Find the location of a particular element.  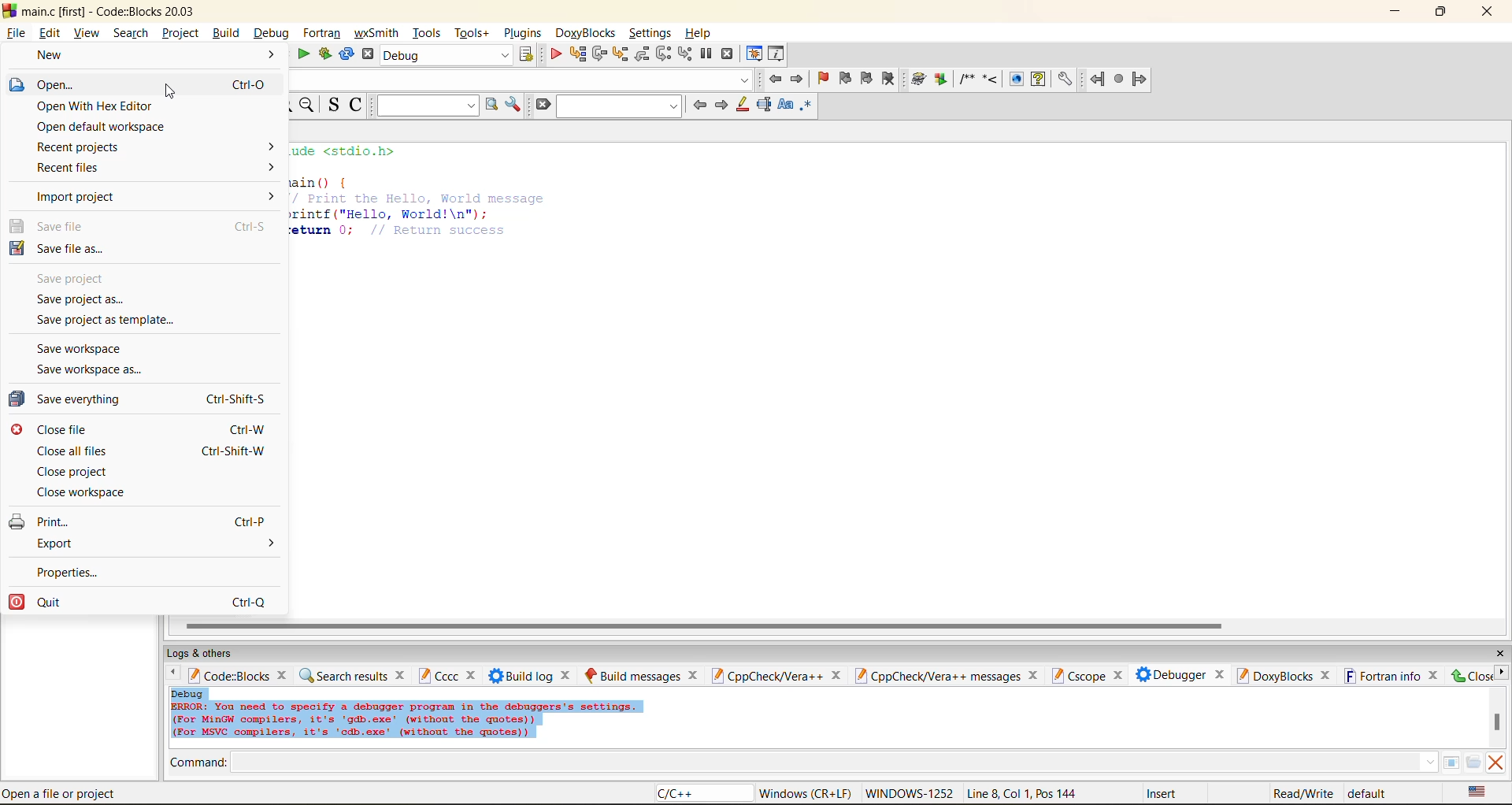

fortran info is located at coordinates (1383, 676).